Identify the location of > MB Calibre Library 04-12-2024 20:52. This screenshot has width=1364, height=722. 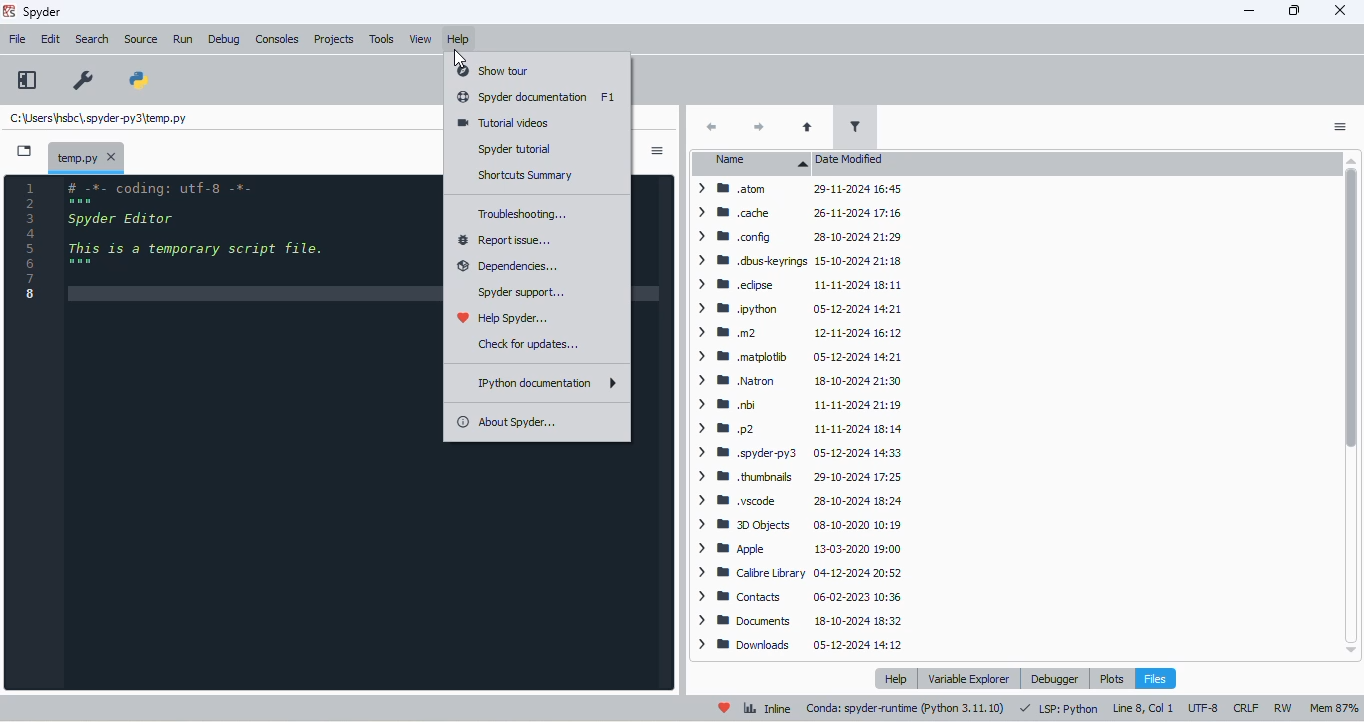
(796, 574).